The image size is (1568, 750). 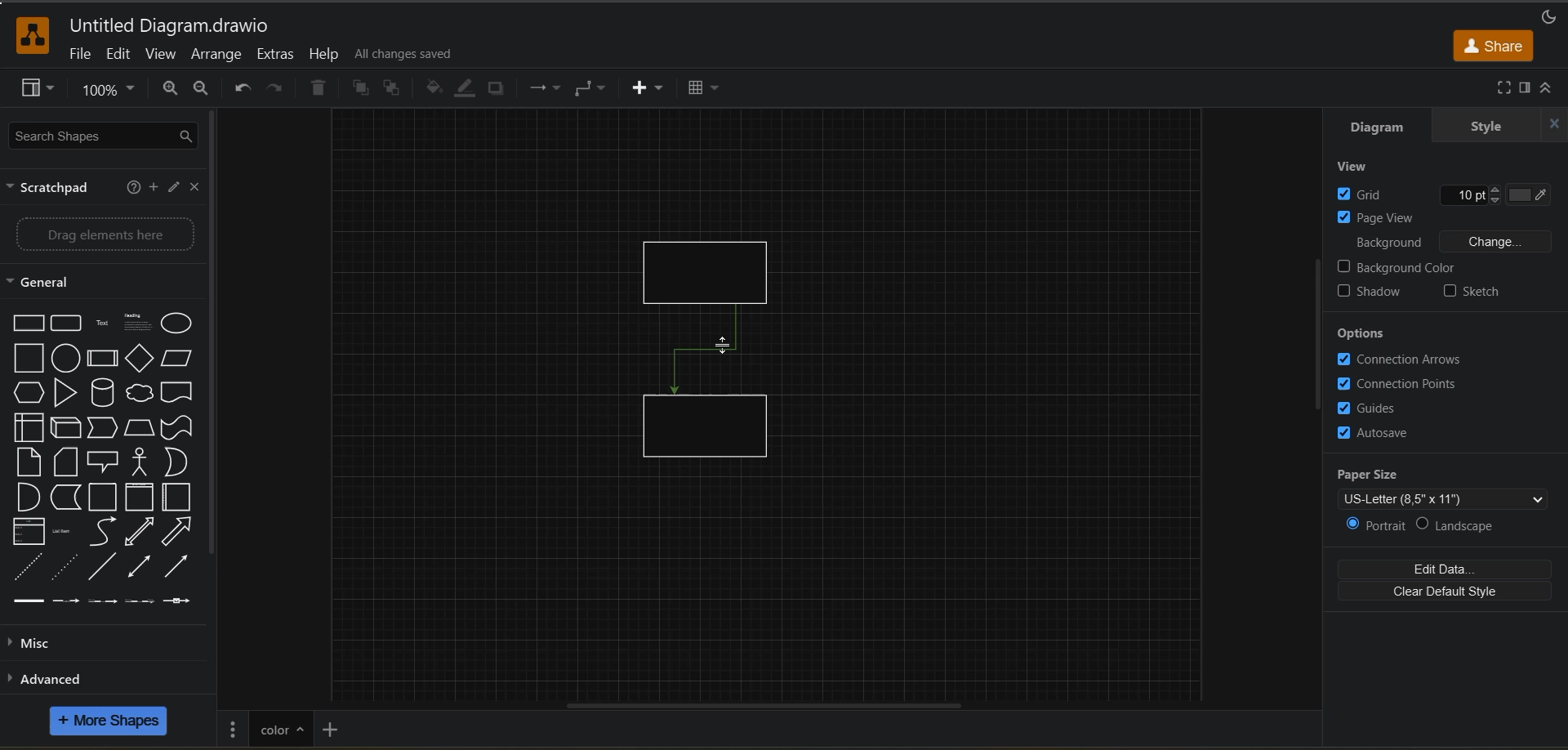 What do you see at coordinates (1449, 484) in the screenshot?
I see `paper size` at bounding box center [1449, 484].